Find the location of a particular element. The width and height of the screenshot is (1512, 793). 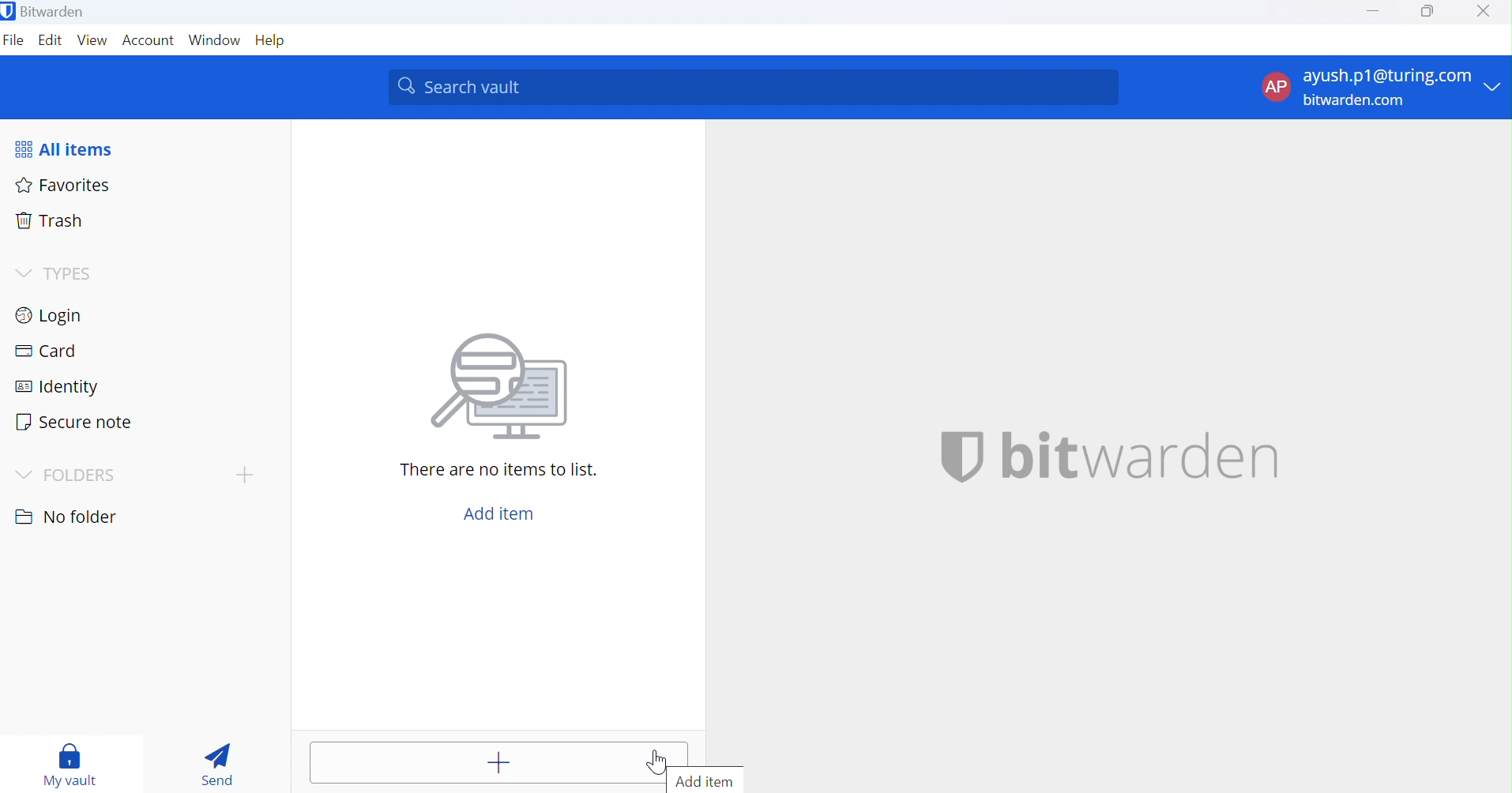

Send is located at coordinates (219, 765).